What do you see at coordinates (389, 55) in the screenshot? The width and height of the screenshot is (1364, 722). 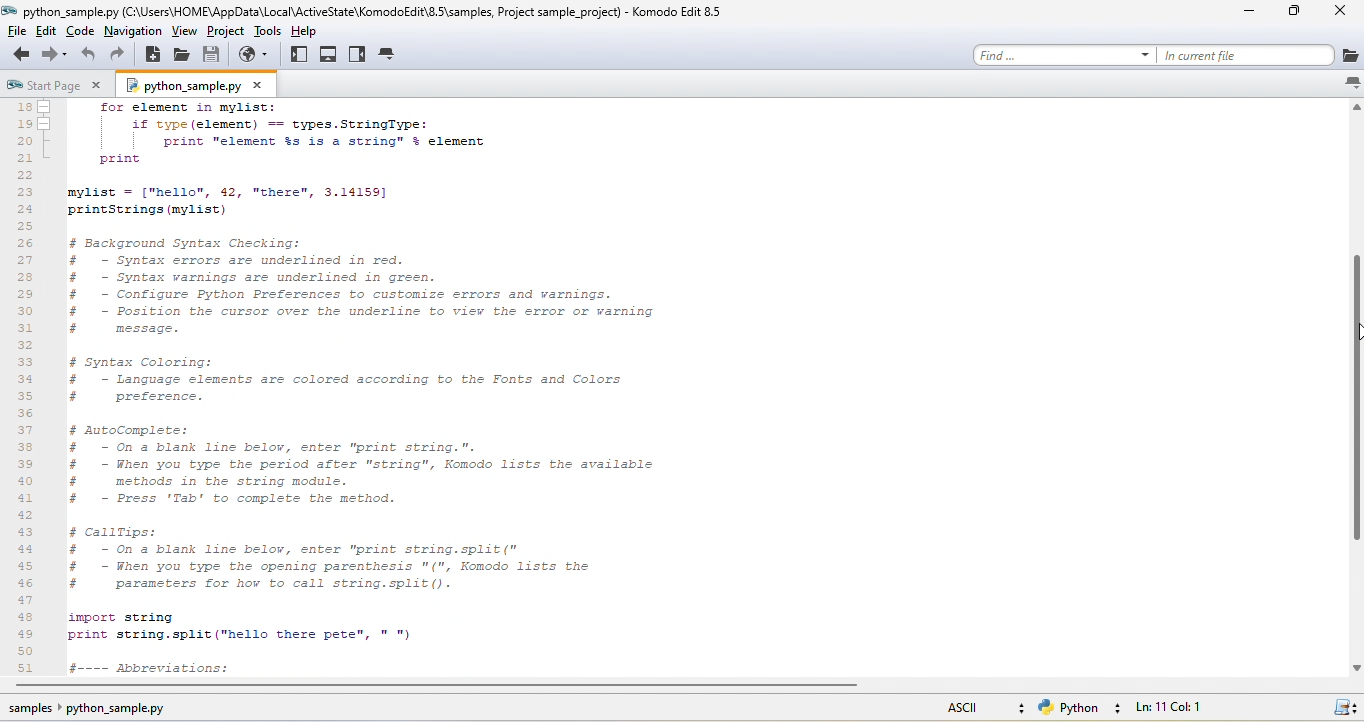 I see `tab` at bounding box center [389, 55].